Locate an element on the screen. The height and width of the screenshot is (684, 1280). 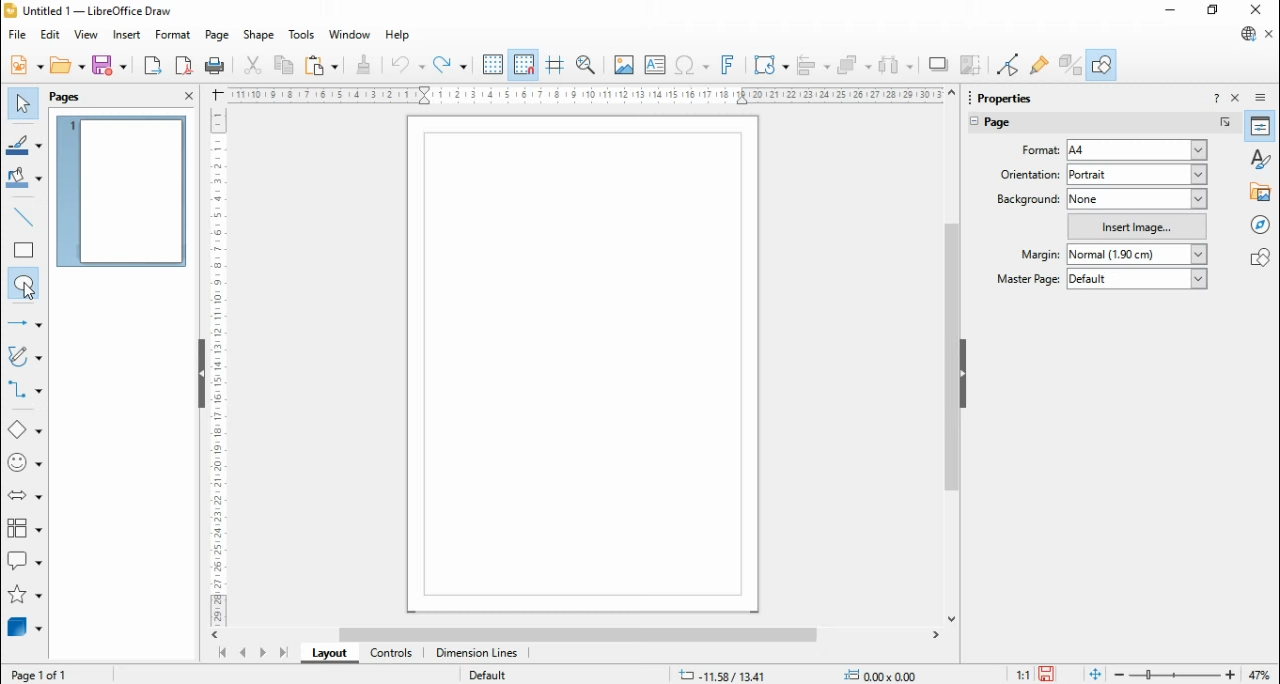
pages panel is located at coordinates (79, 97).